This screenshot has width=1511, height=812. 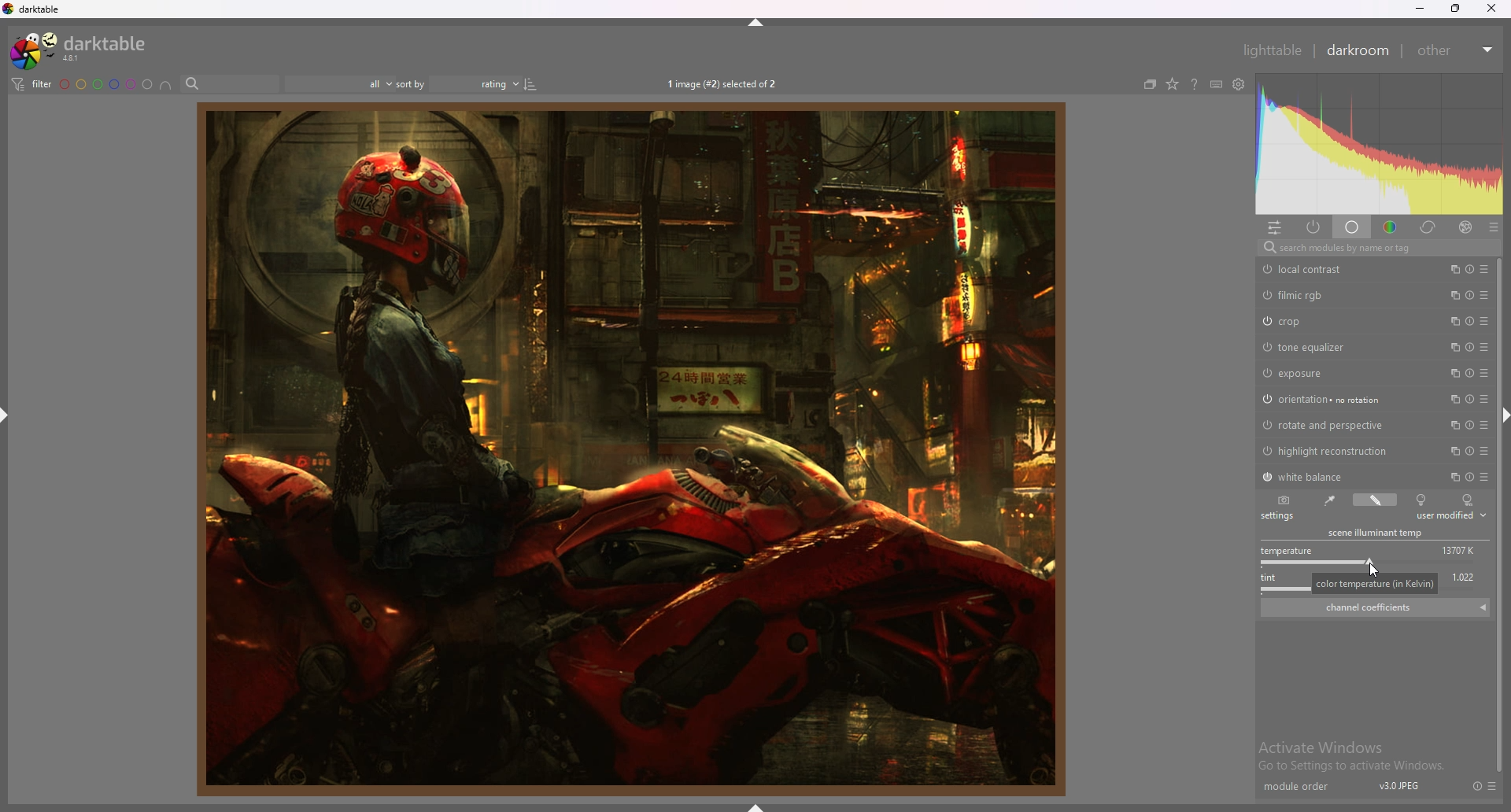 I want to click on quick access panel, so click(x=1274, y=227).